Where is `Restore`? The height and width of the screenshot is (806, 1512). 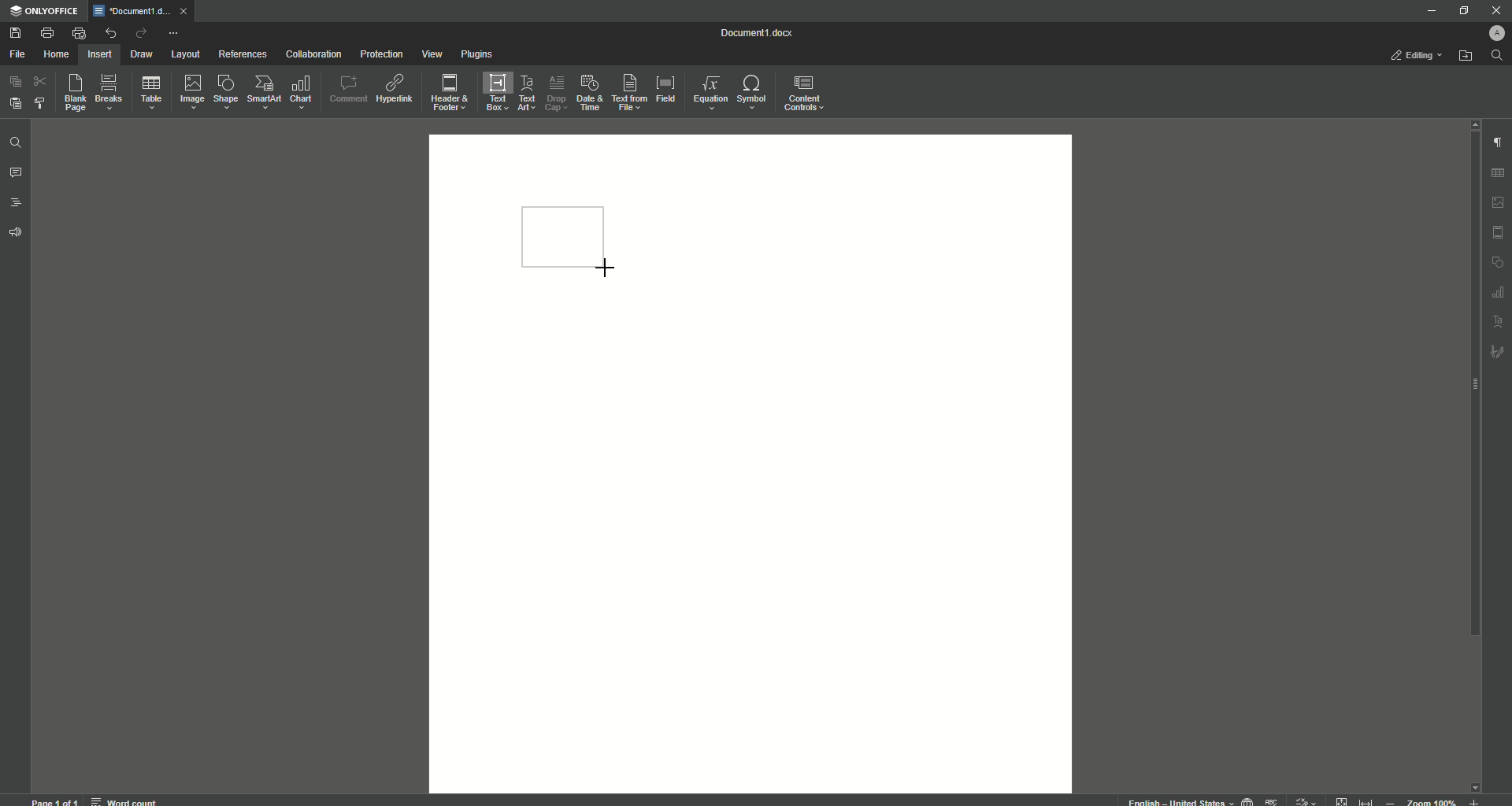
Restore is located at coordinates (1462, 11).